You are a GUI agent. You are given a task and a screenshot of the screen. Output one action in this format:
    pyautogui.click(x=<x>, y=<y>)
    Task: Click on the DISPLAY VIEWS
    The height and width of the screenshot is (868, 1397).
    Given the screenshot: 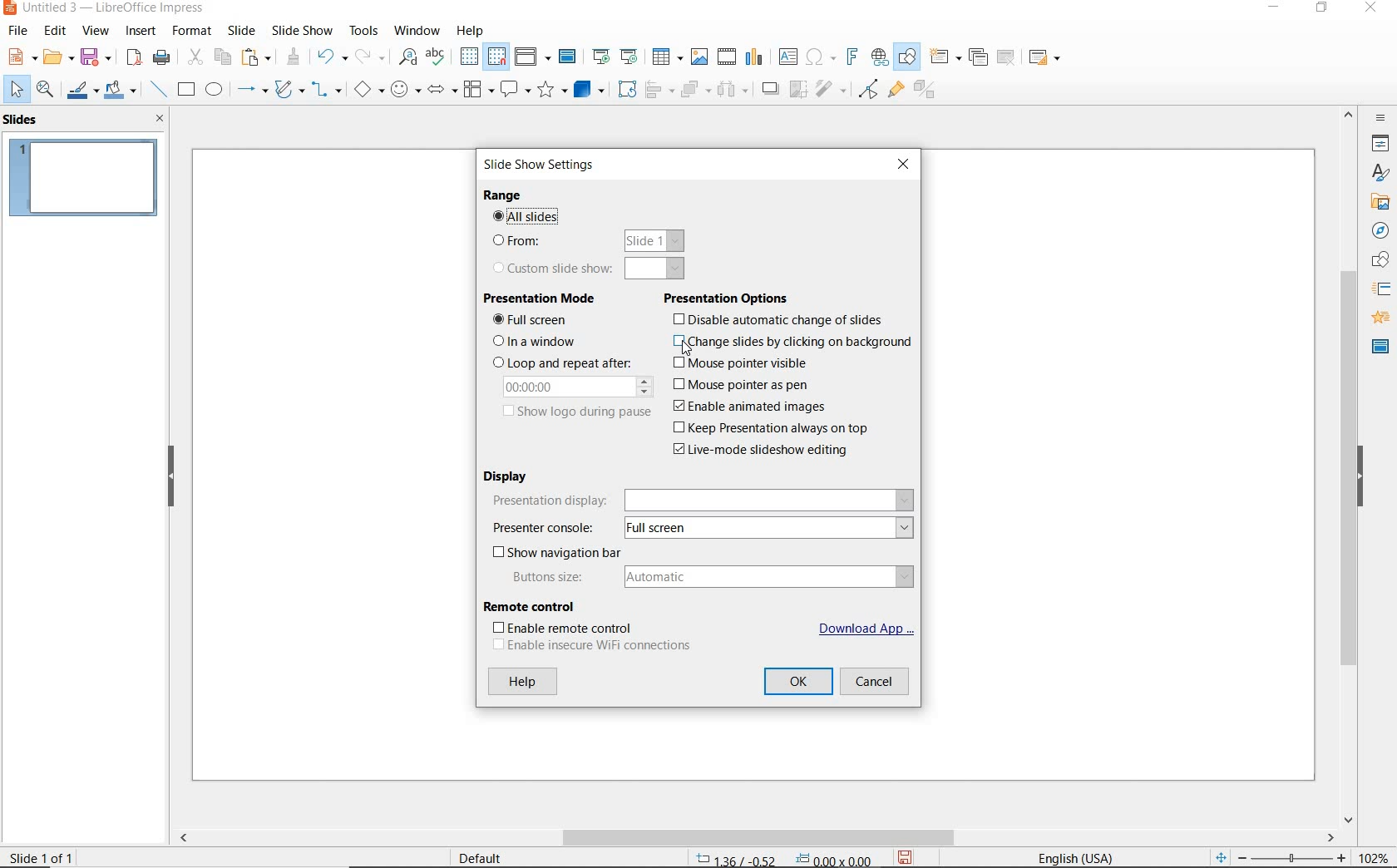 What is the action you would take?
    pyautogui.click(x=533, y=57)
    